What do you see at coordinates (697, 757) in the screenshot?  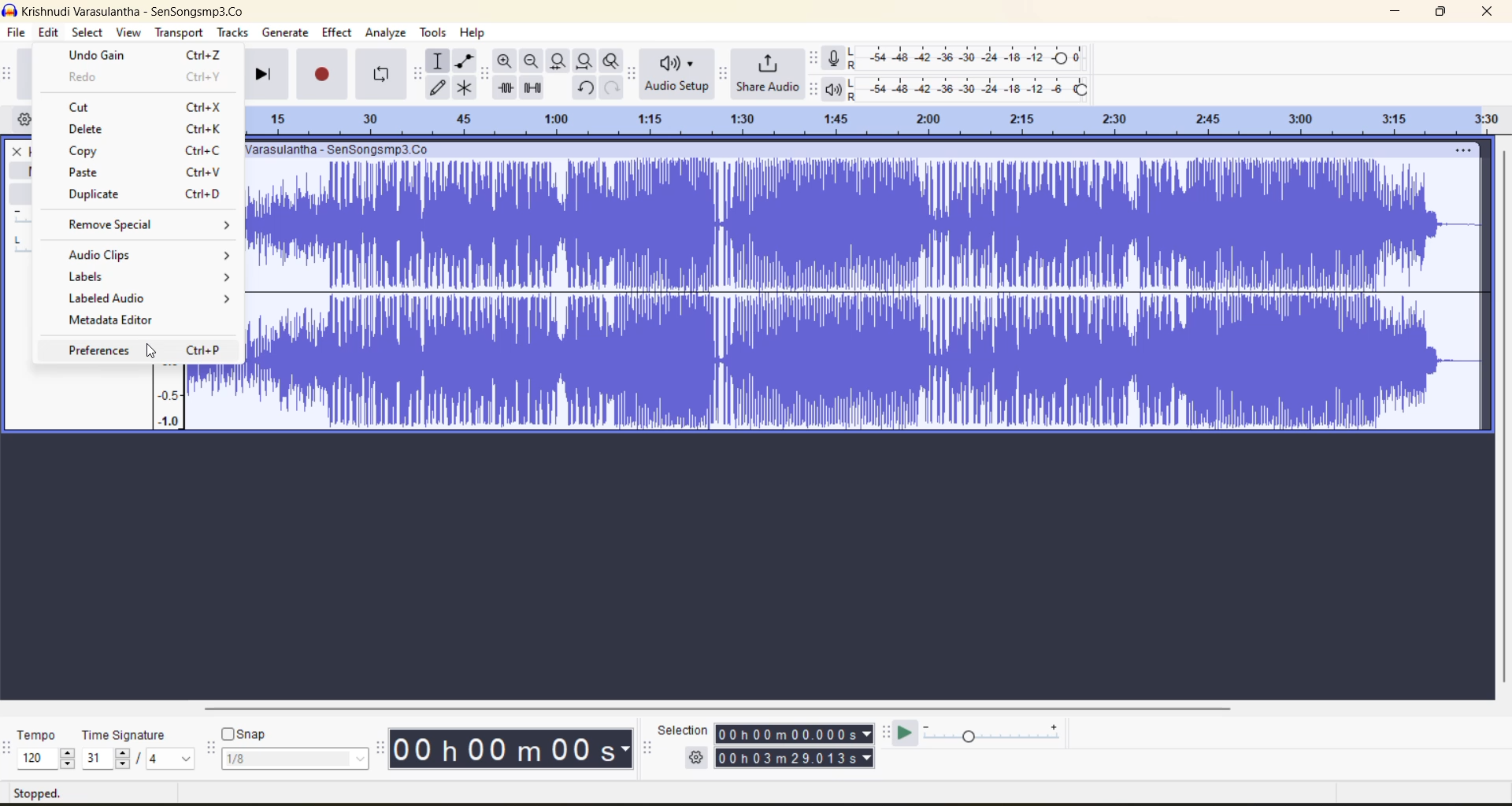 I see `selection settings` at bounding box center [697, 757].